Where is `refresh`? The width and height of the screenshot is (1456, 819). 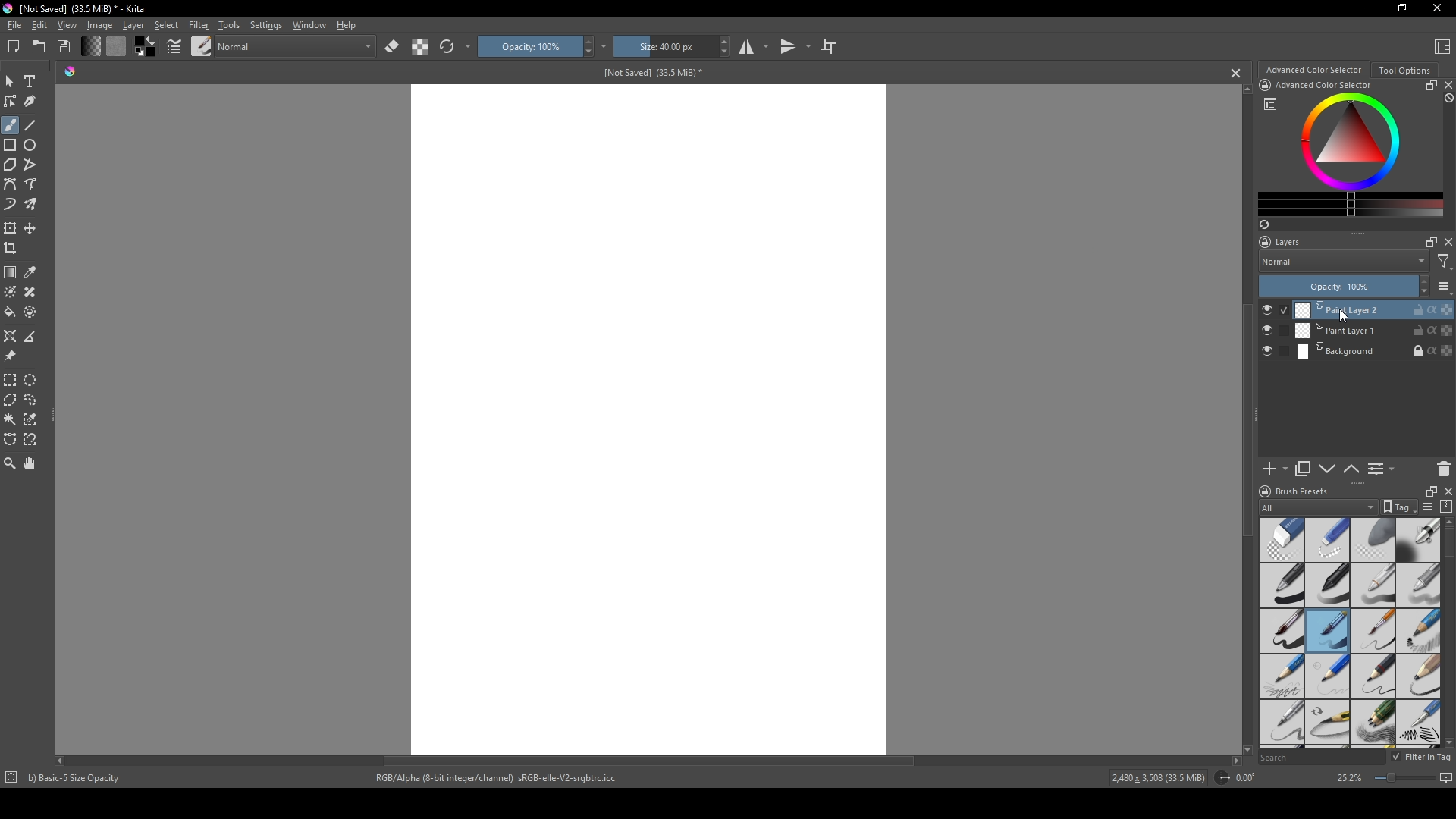 refresh is located at coordinates (1263, 224).